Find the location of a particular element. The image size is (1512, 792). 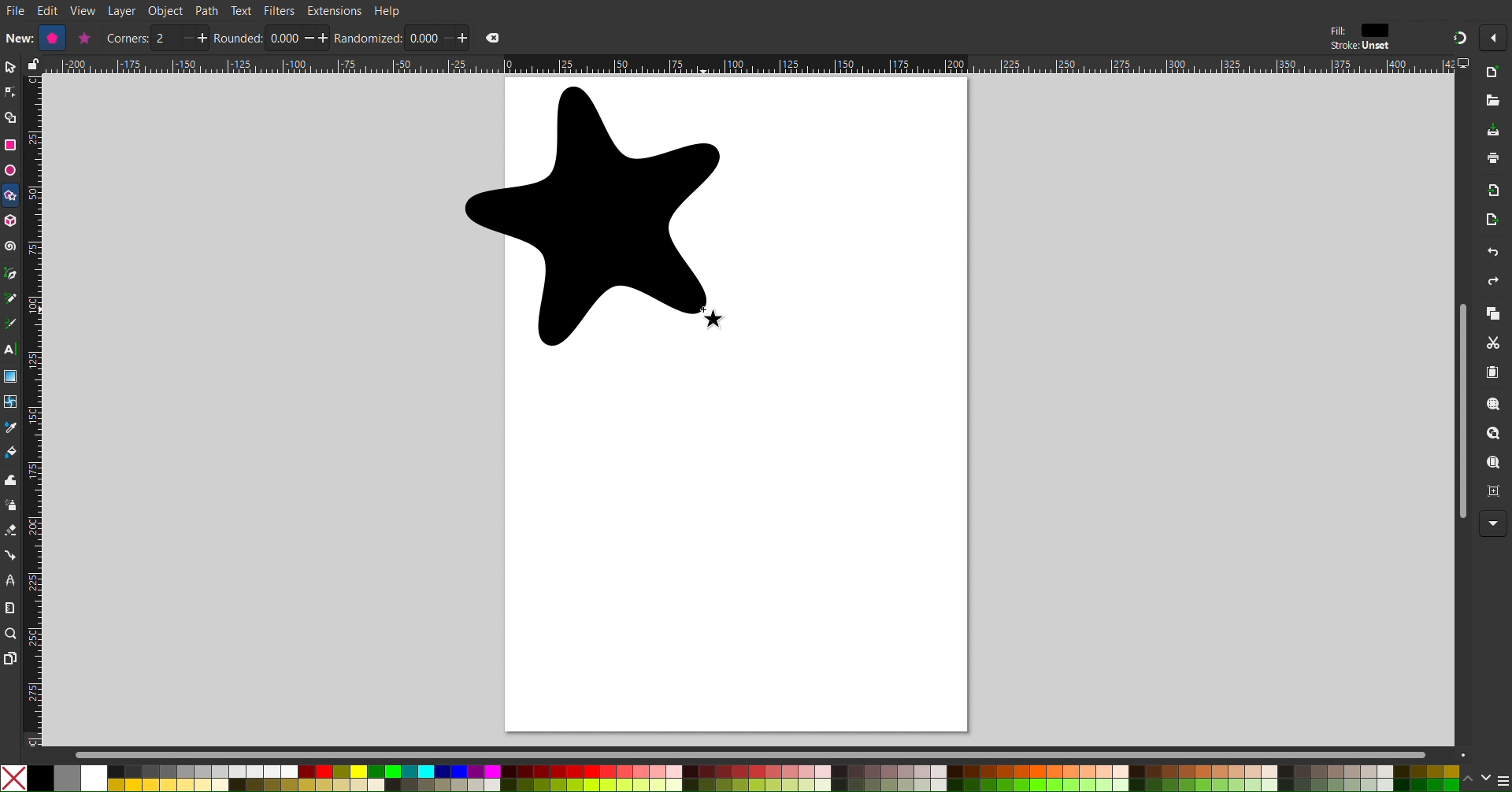

Extensions is located at coordinates (334, 11).